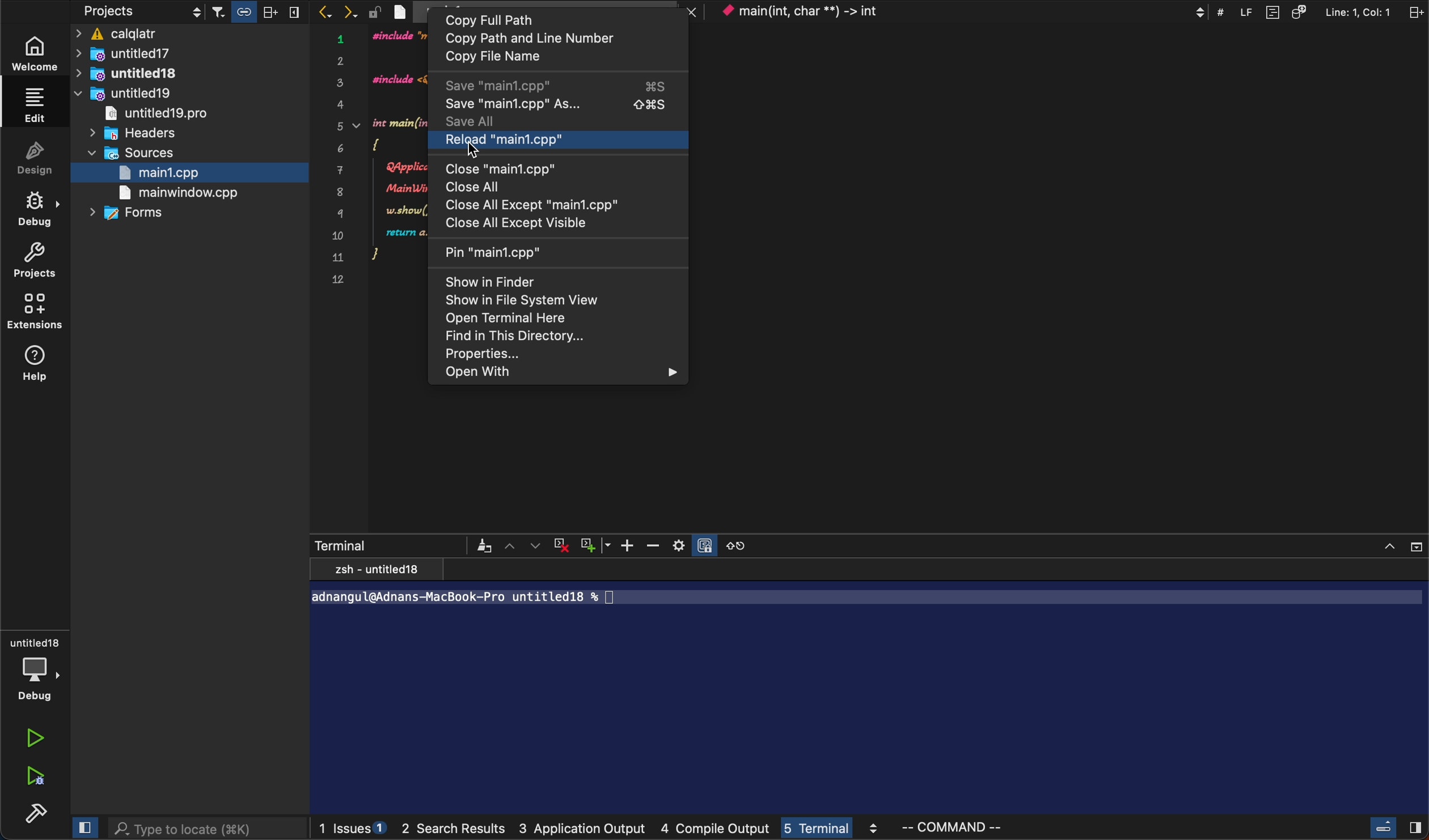 Image resolution: width=1429 pixels, height=840 pixels. I want to click on save as, so click(556, 104).